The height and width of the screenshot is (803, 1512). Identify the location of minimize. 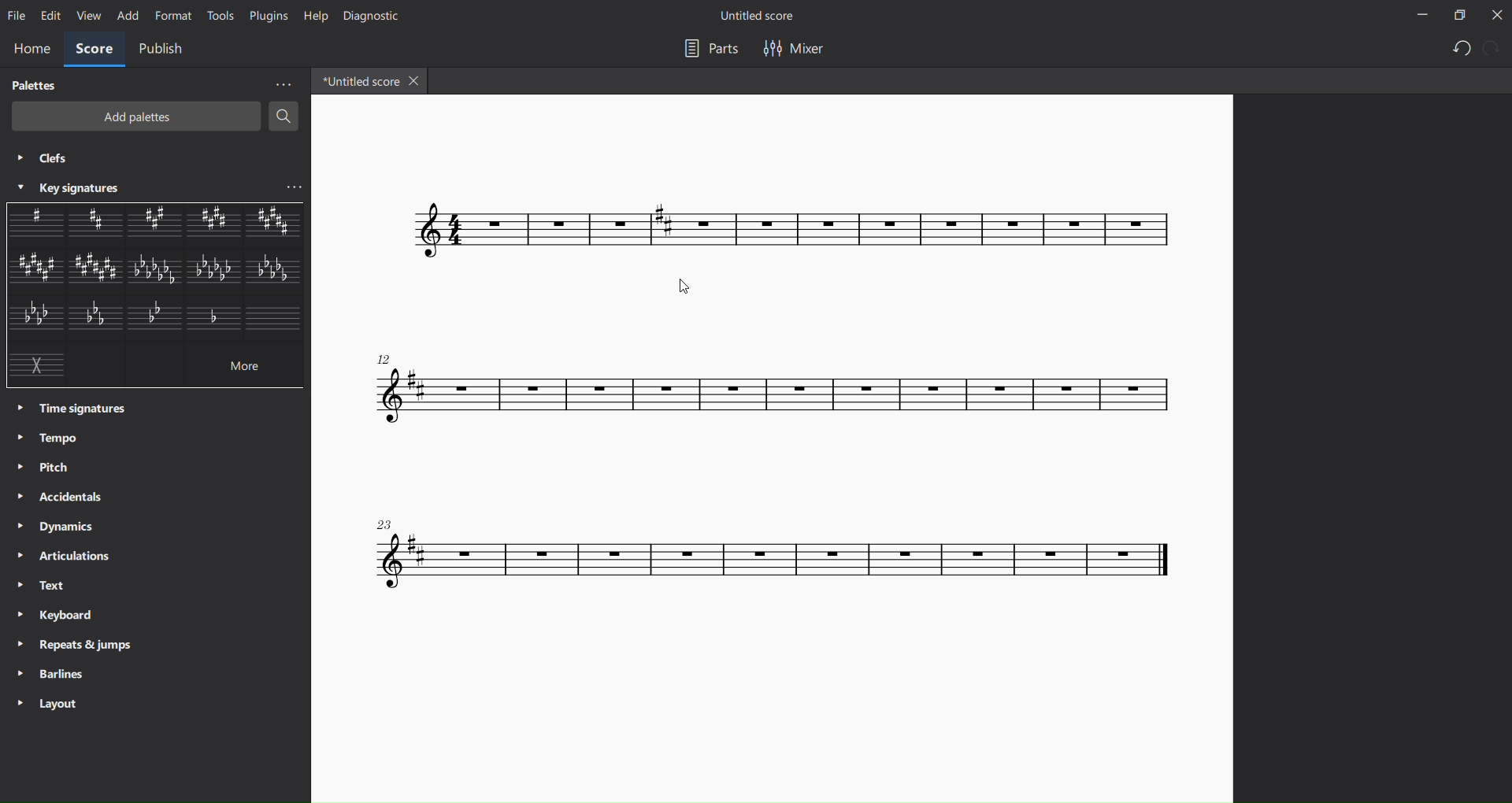
(1421, 13).